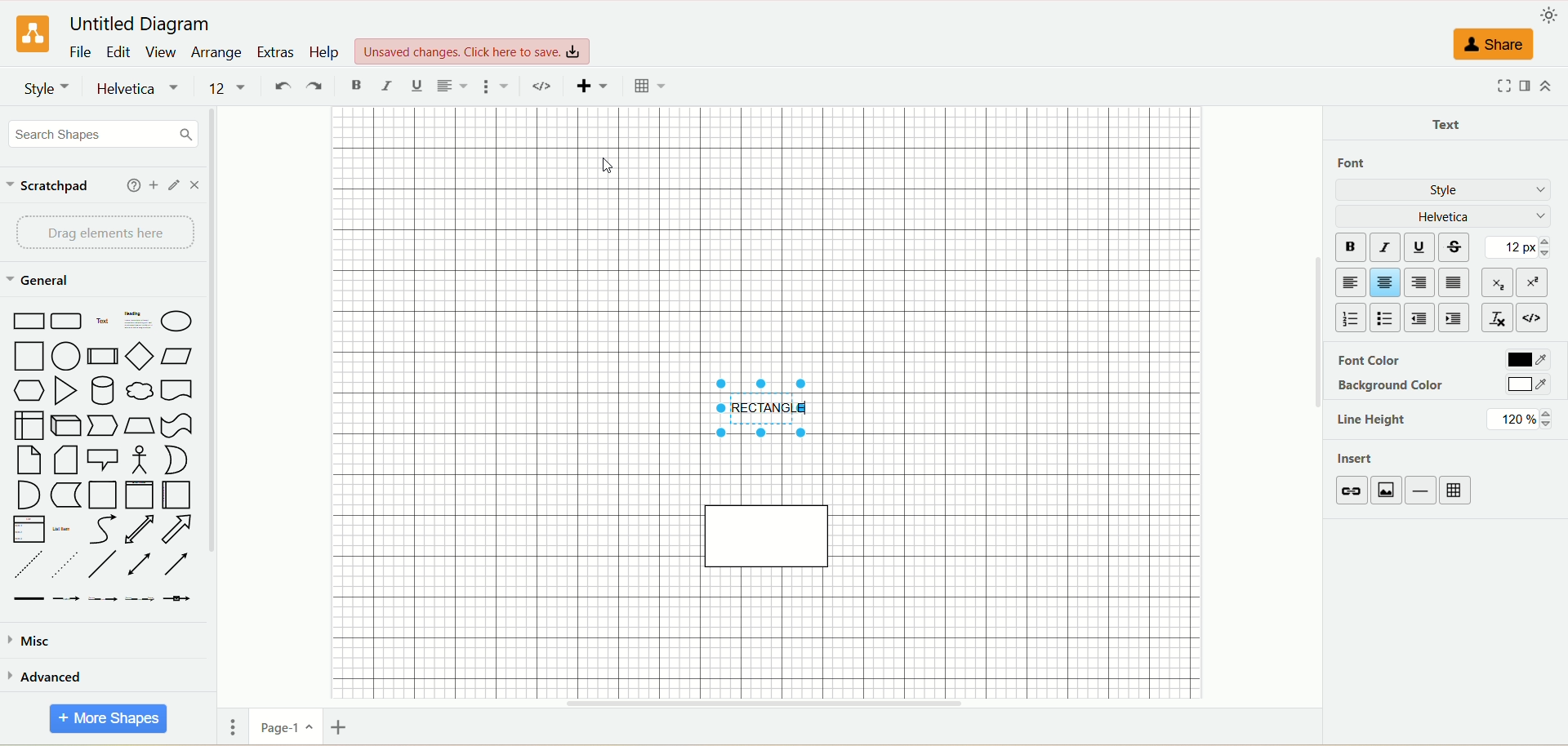 The width and height of the screenshot is (1568, 746). What do you see at coordinates (140, 320) in the screenshot?
I see `text box` at bounding box center [140, 320].